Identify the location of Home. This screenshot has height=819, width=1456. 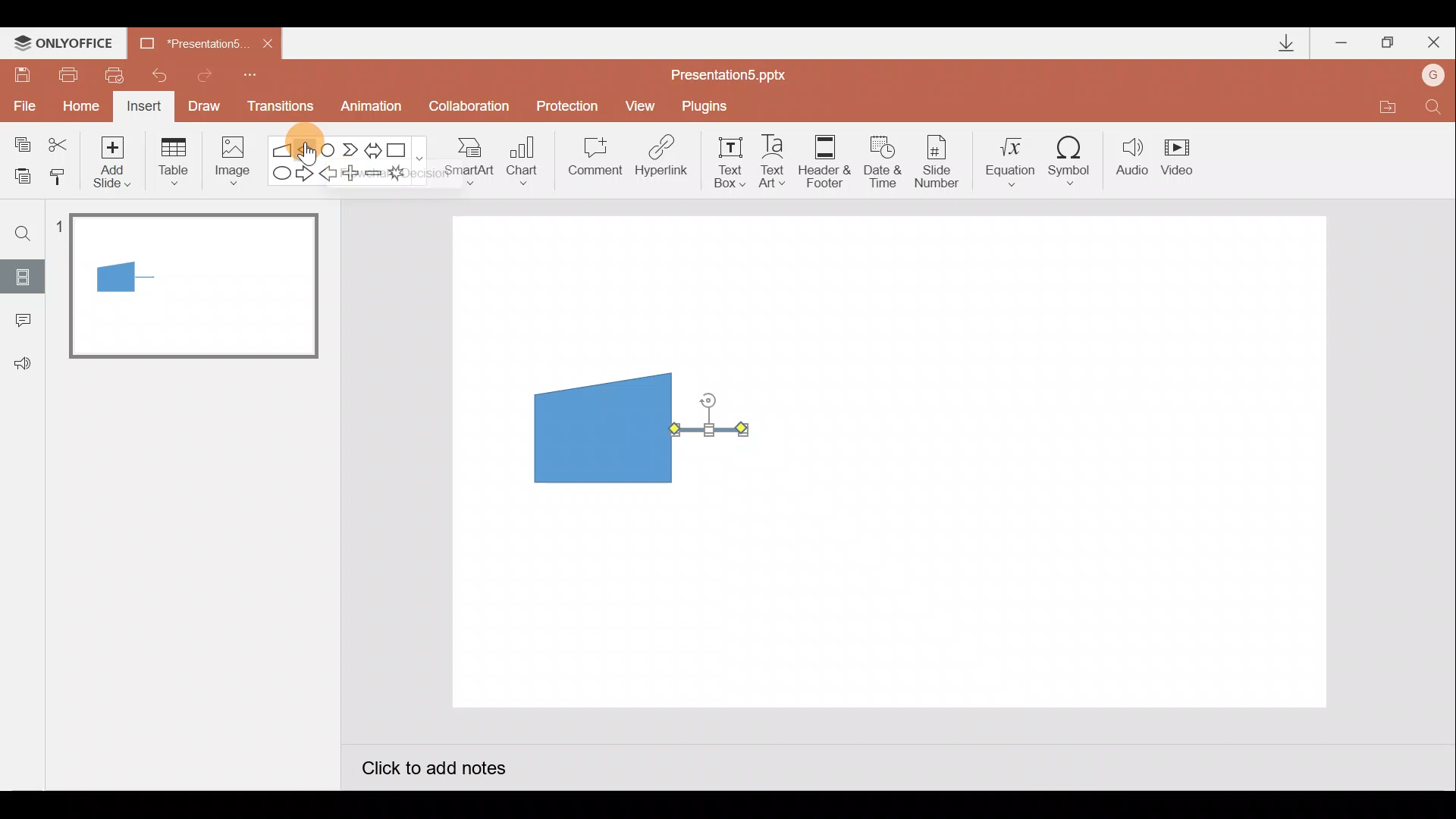
(77, 102).